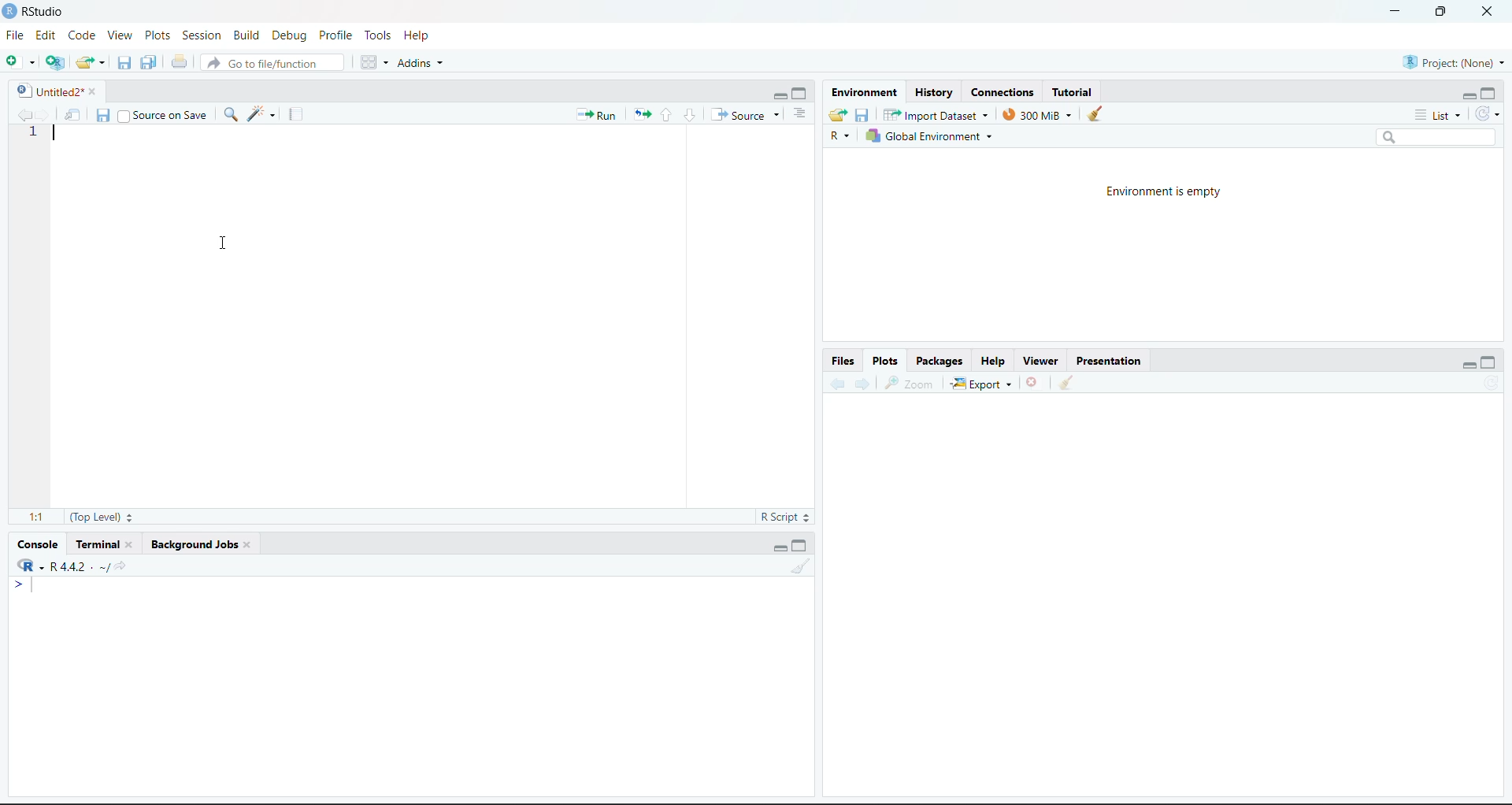  I want to click on 1:1, so click(35, 517).